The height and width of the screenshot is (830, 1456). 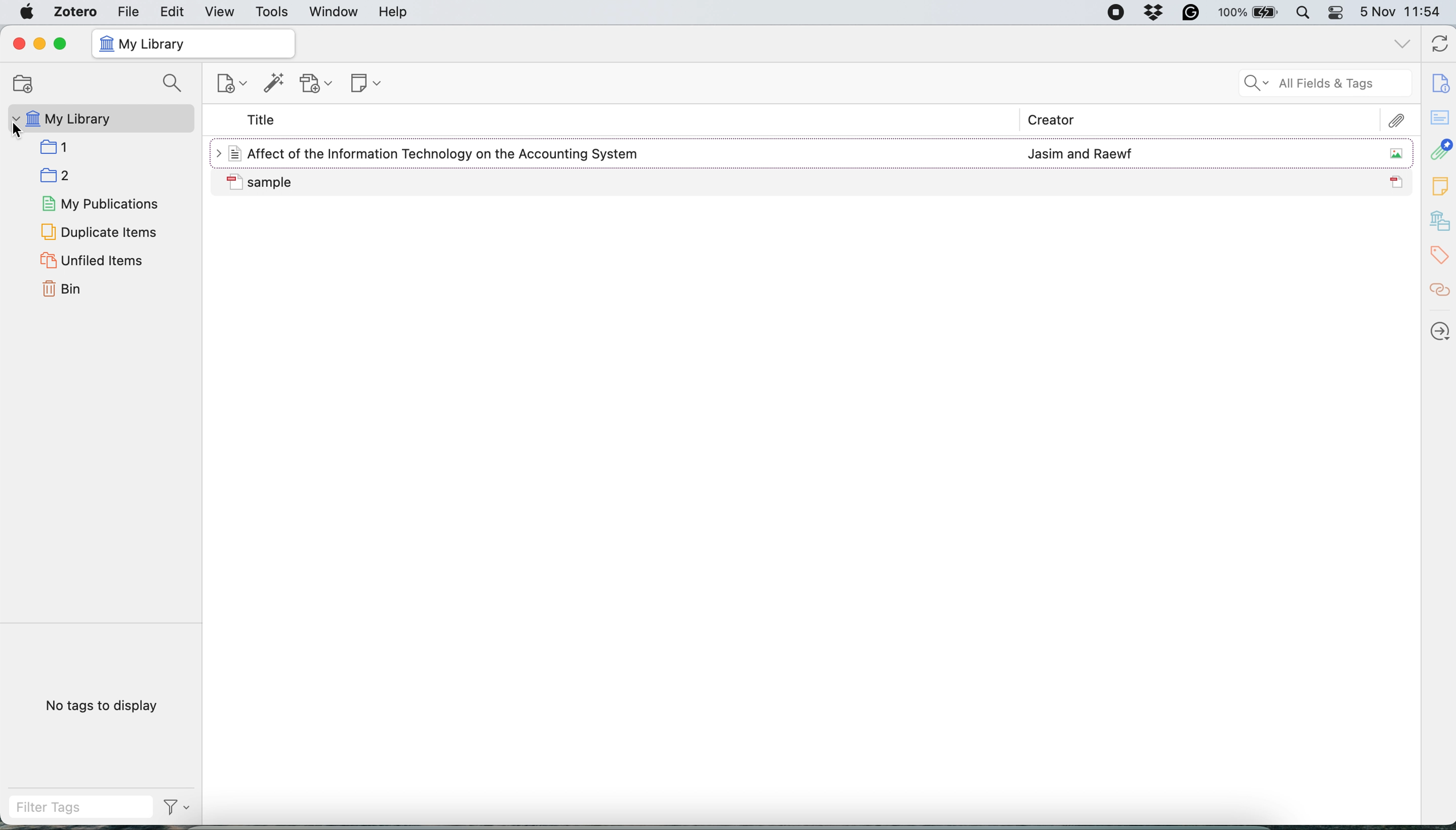 I want to click on item info, so click(x=1438, y=82).